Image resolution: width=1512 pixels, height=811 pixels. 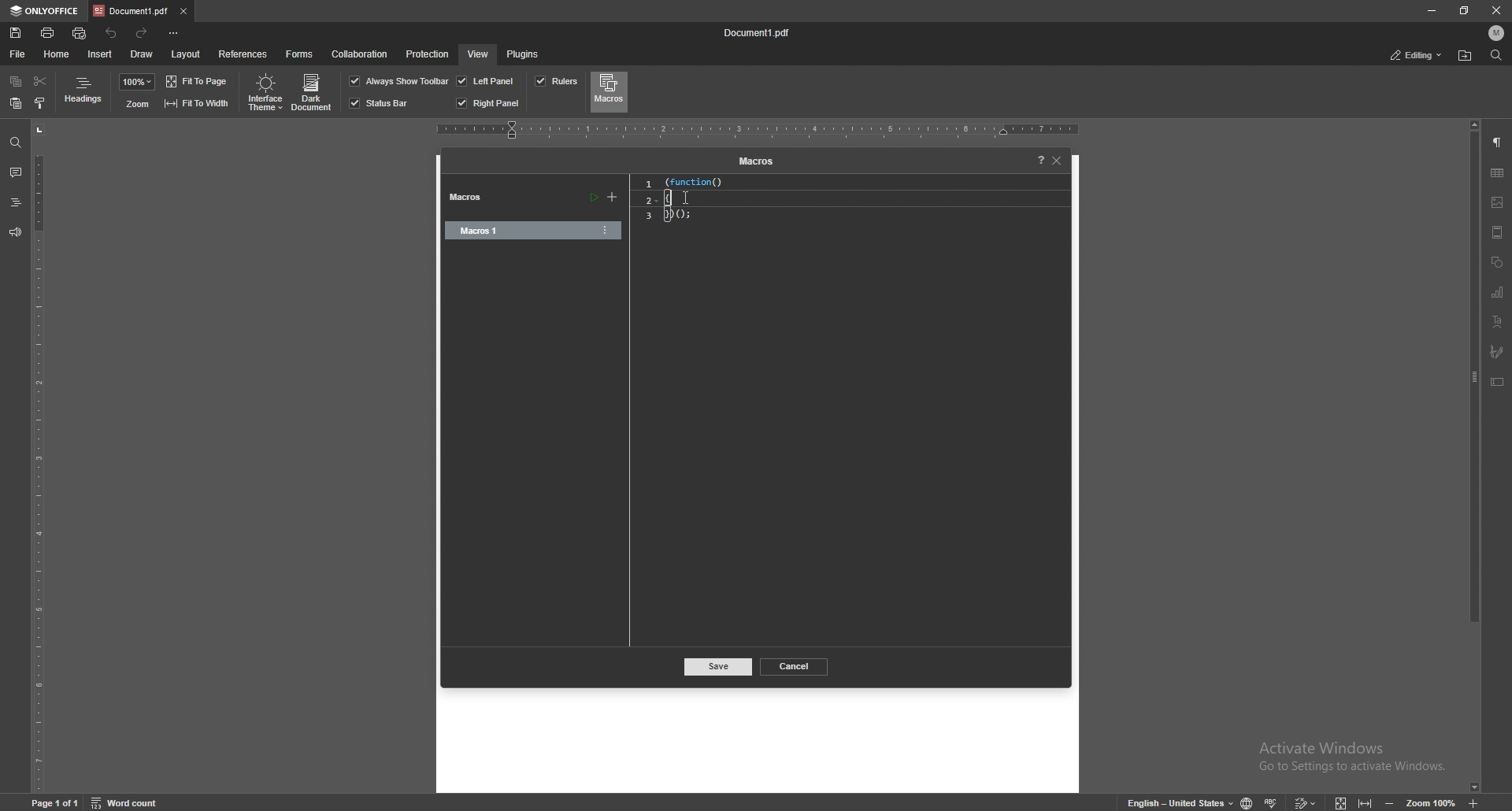 I want to click on vertical scale, so click(x=39, y=456).